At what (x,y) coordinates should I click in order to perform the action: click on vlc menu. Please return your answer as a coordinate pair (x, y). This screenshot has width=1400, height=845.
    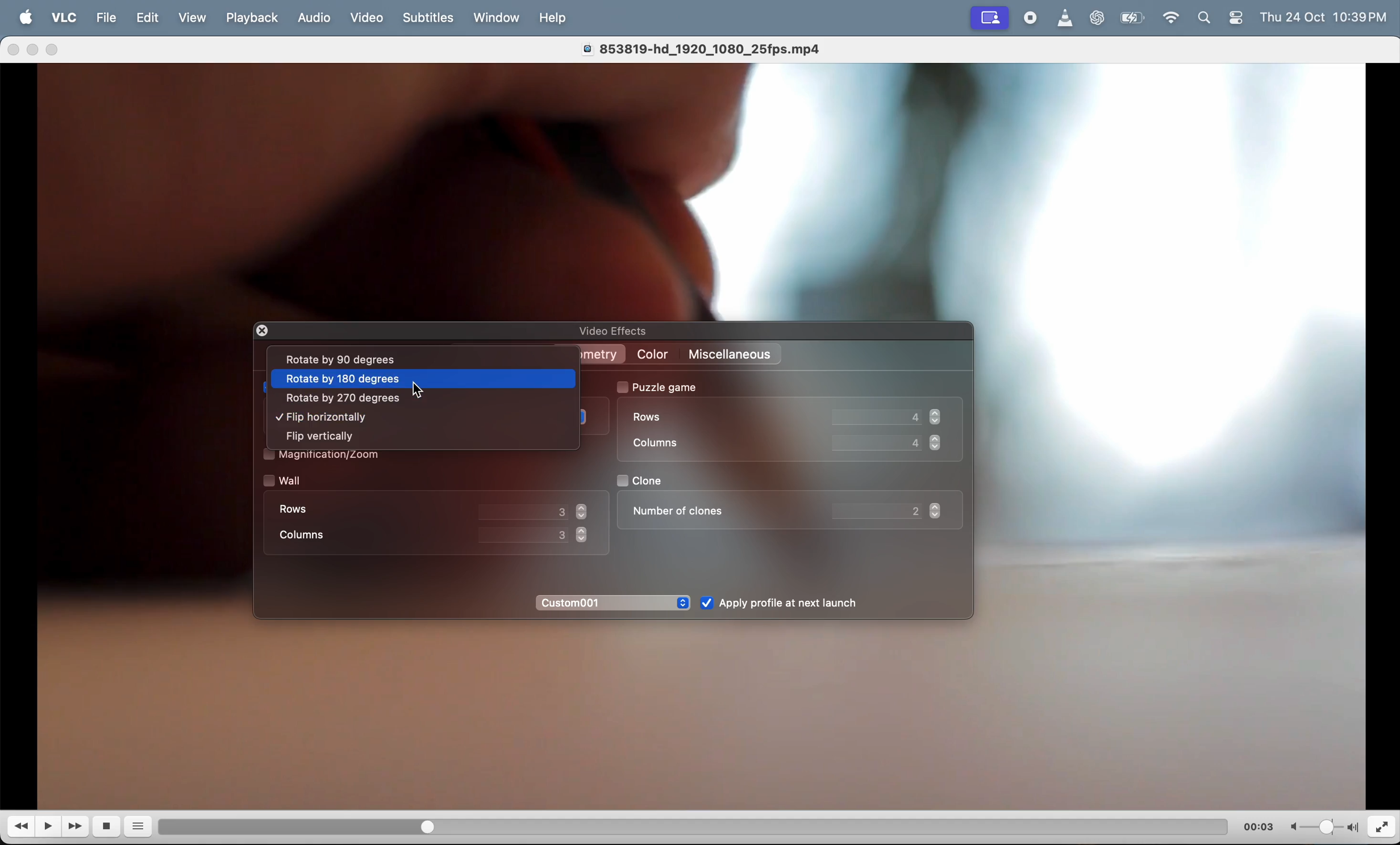
    Looking at the image, I should click on (63, 19).